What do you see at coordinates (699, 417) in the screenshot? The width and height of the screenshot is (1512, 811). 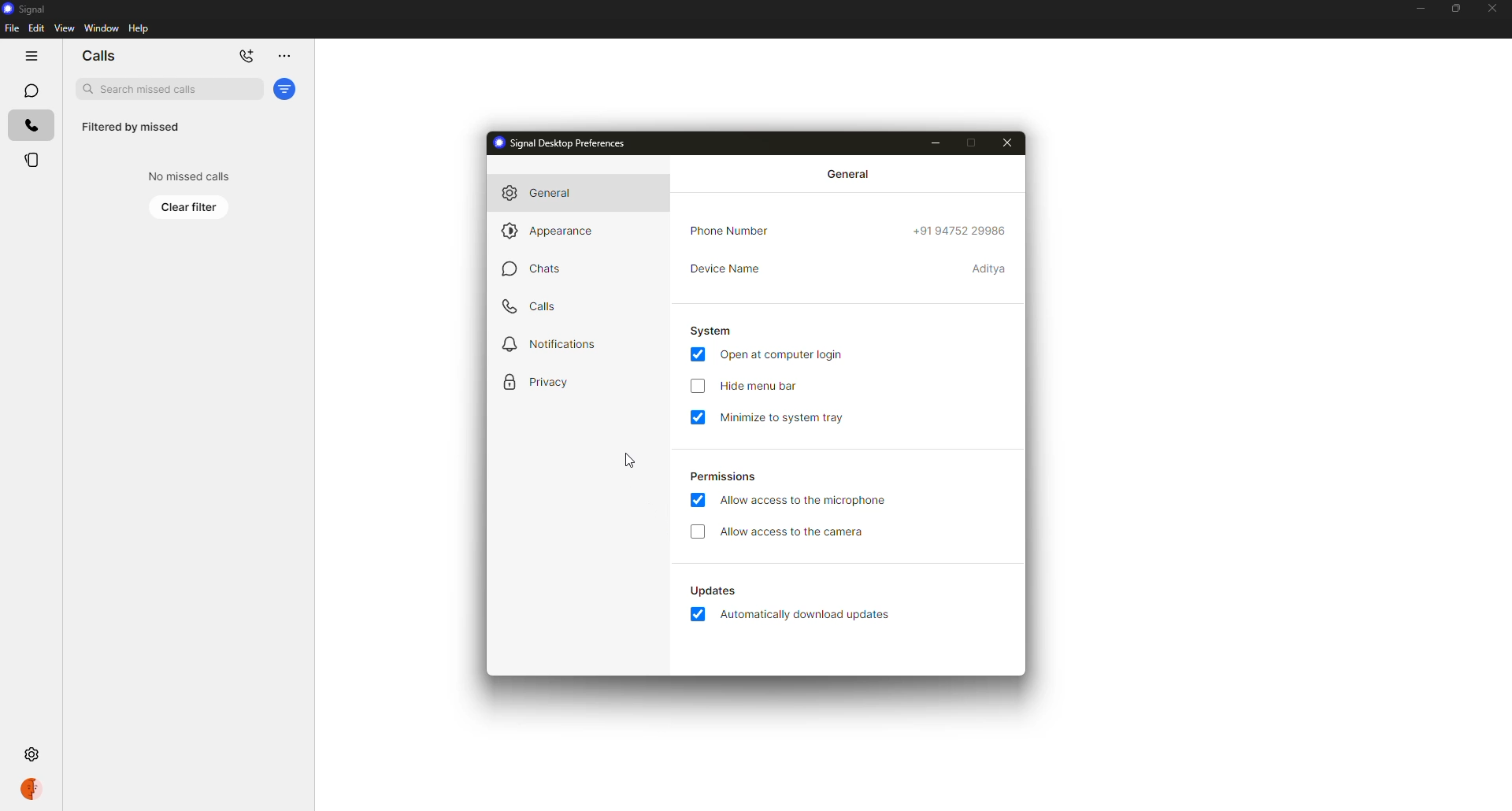 I see `enabled` at bounding box center [699, 417].